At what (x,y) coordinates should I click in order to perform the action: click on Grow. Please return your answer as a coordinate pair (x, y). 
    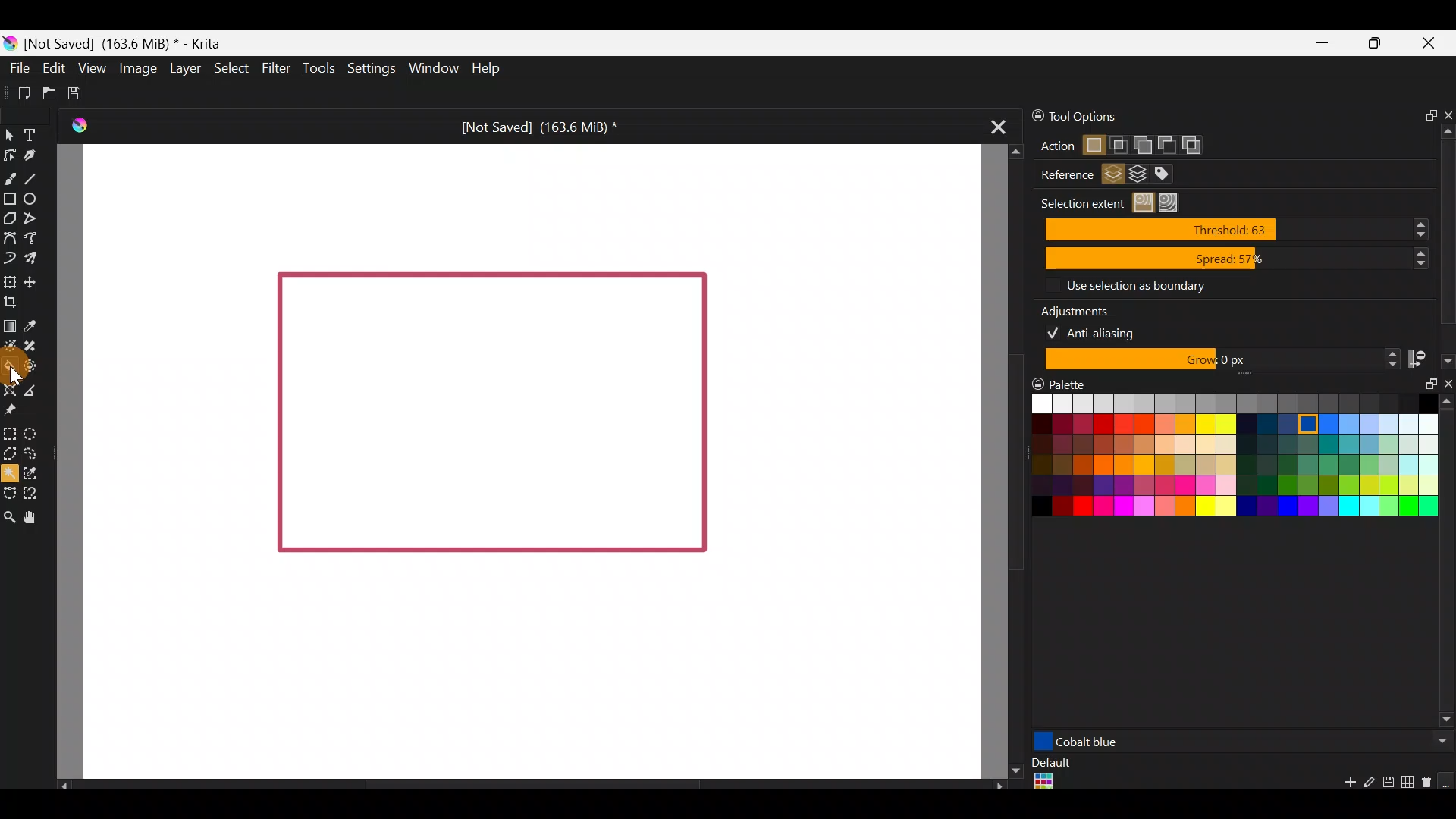
    Looking at the image, I should click on (1219, 360).